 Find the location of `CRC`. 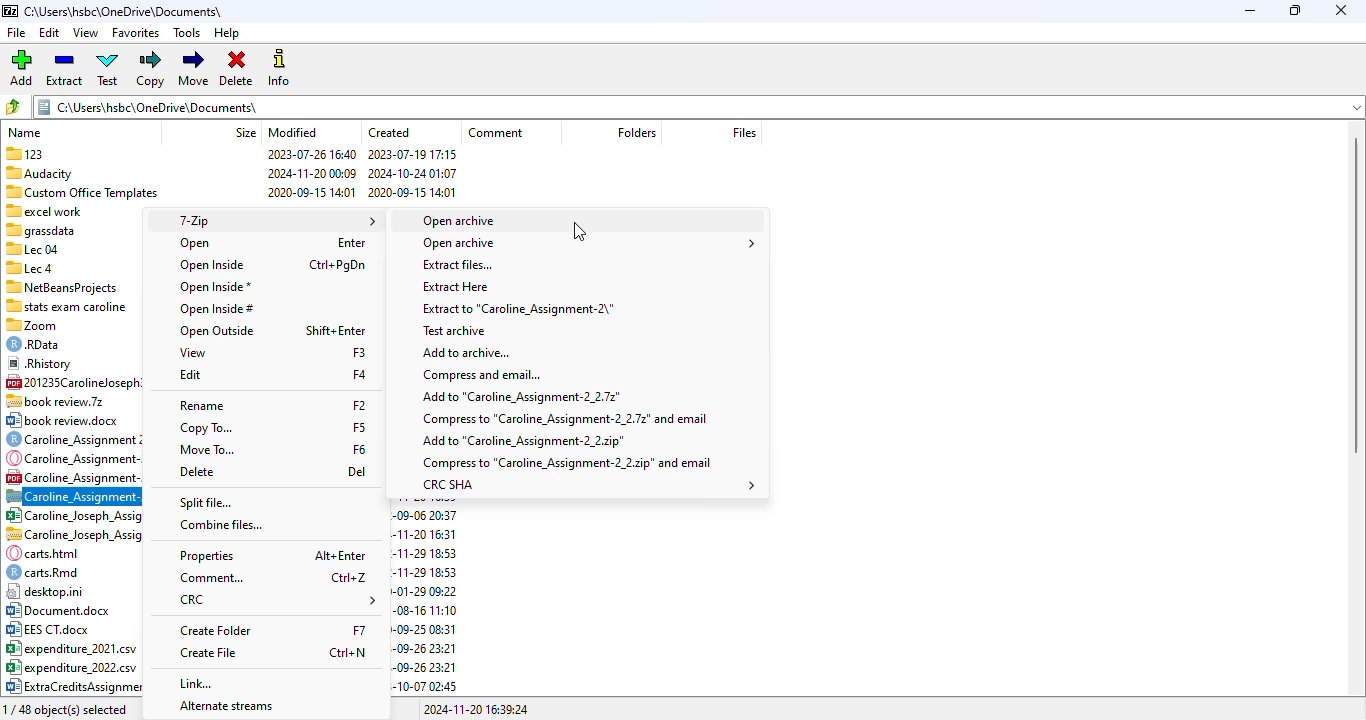

CRC is located at coordinates (279, 600).